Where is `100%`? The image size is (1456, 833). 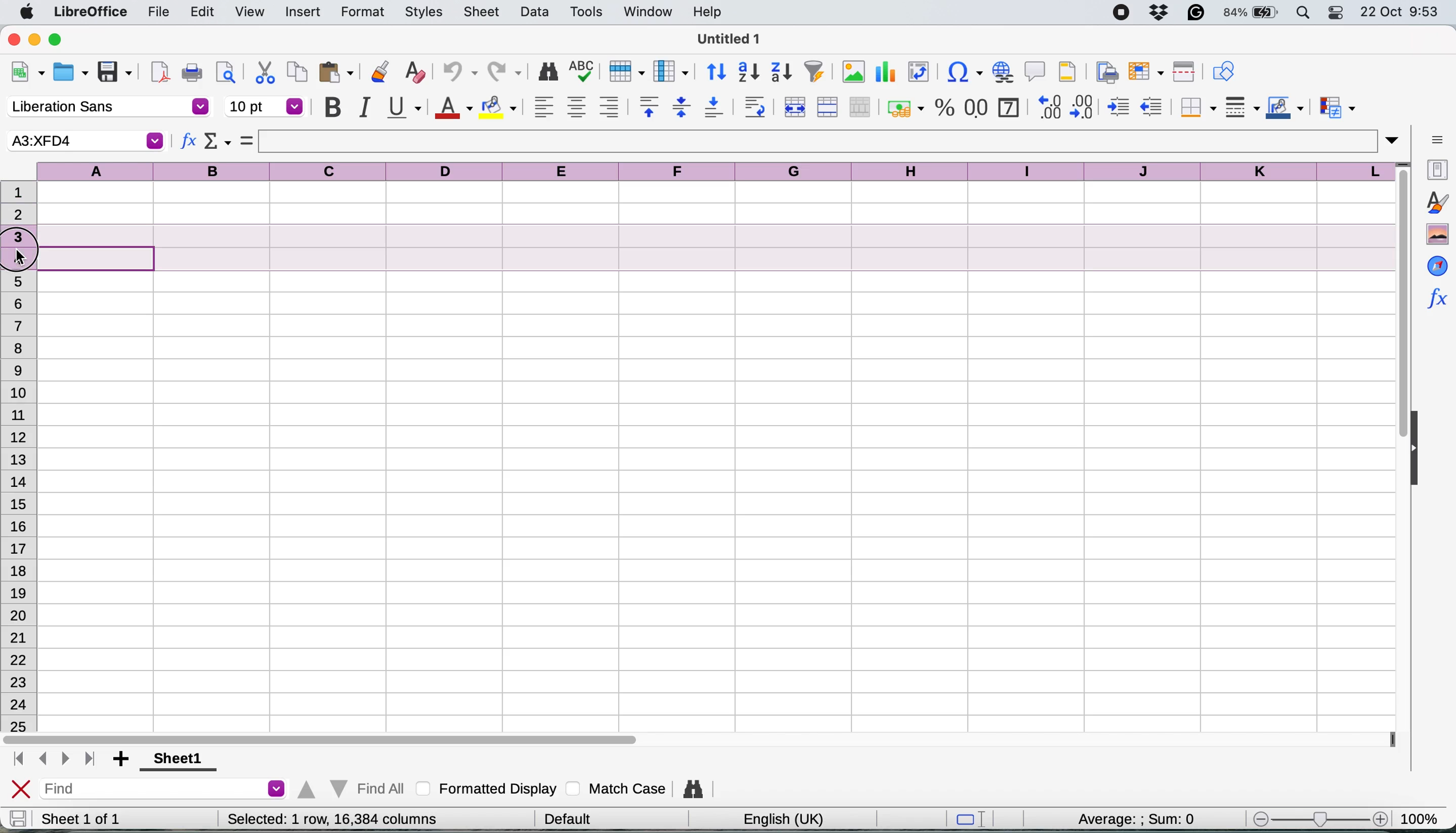 100% is located at coordinates (1423, 816).